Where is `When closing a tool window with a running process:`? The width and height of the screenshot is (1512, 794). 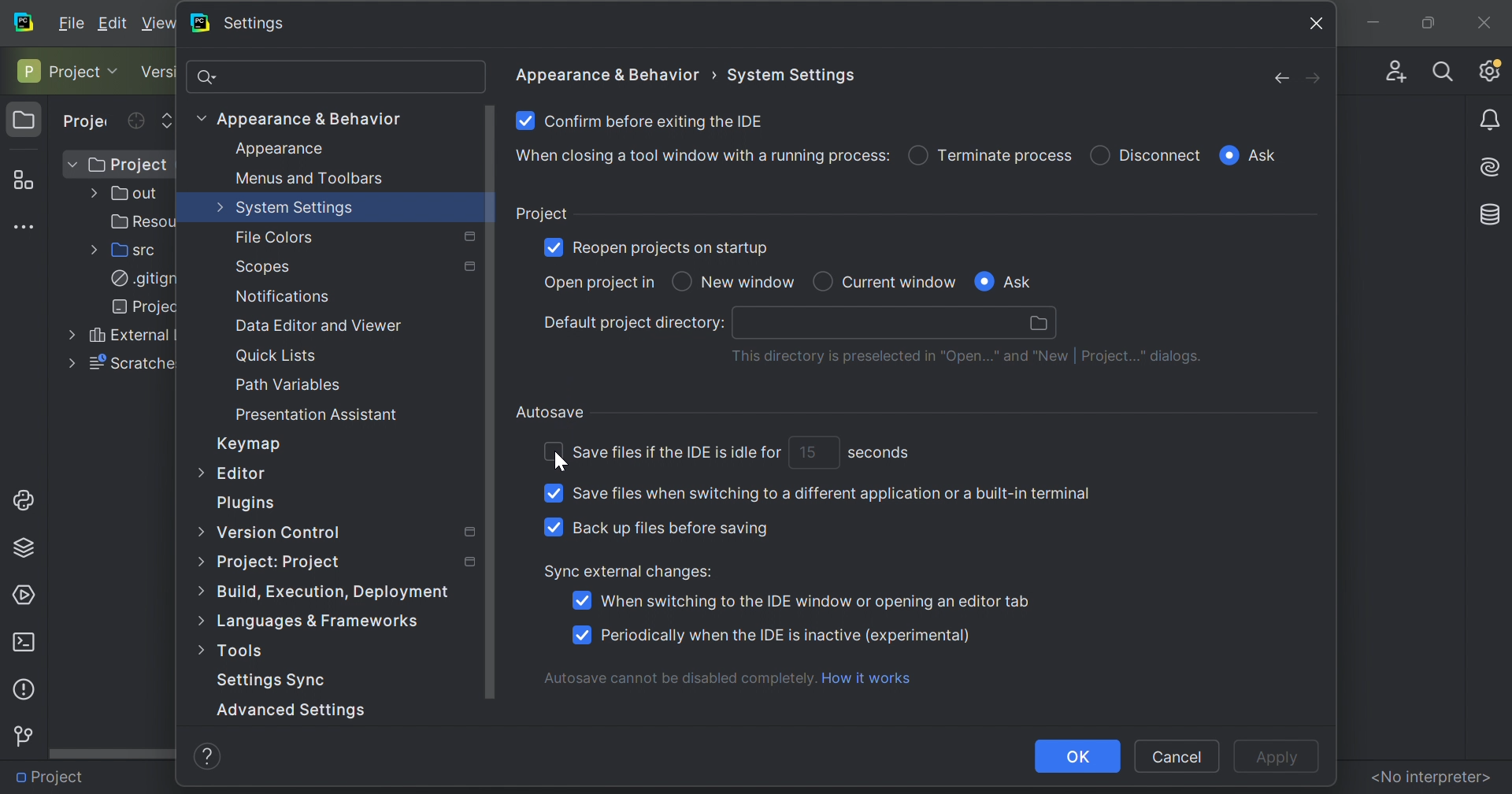
When closing a tool window with a running process: is located at coordinates (700, 156).